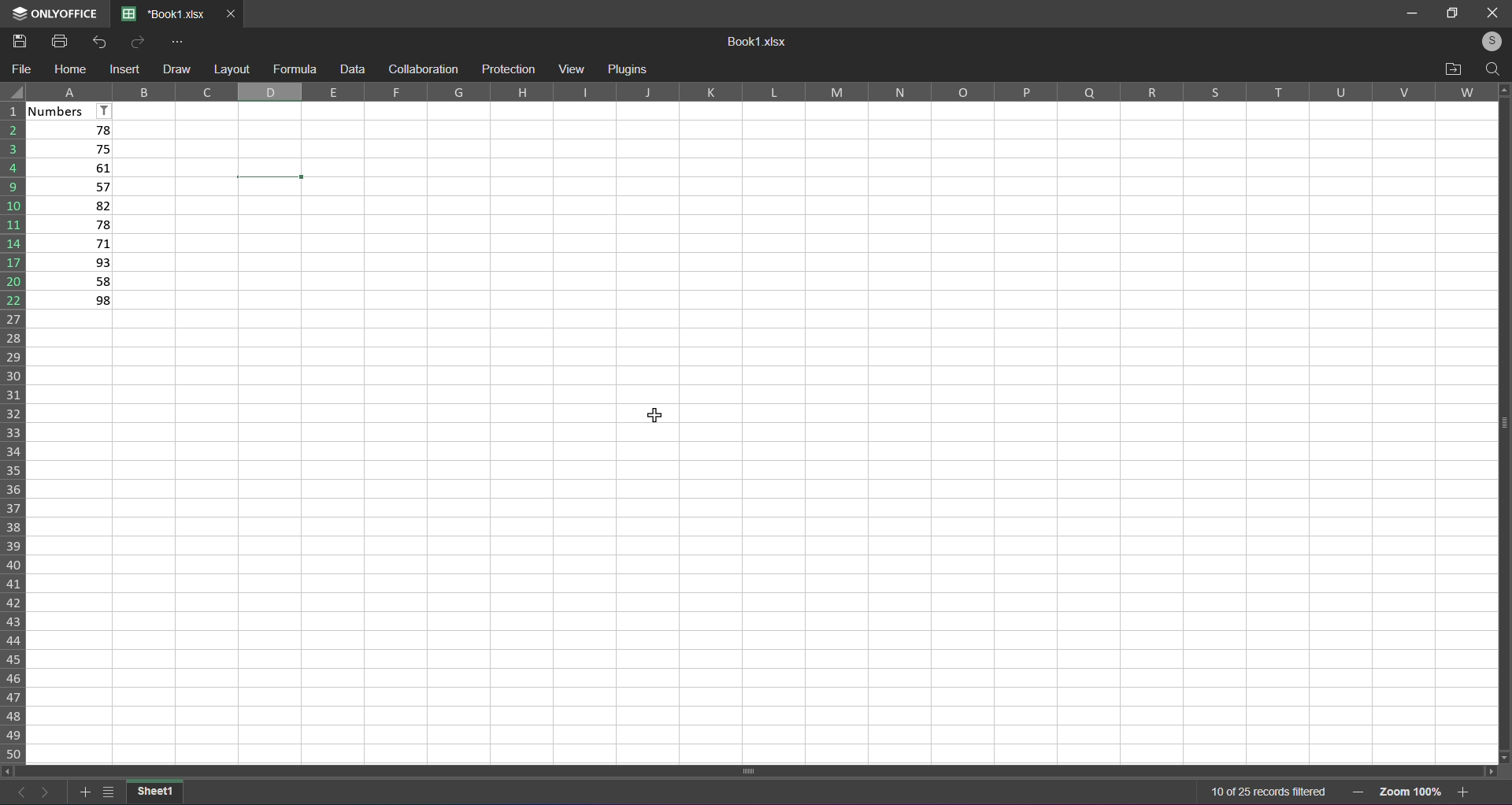 This screenshot has width=1512, height=805. I want to click on undo, so click(102, 42).